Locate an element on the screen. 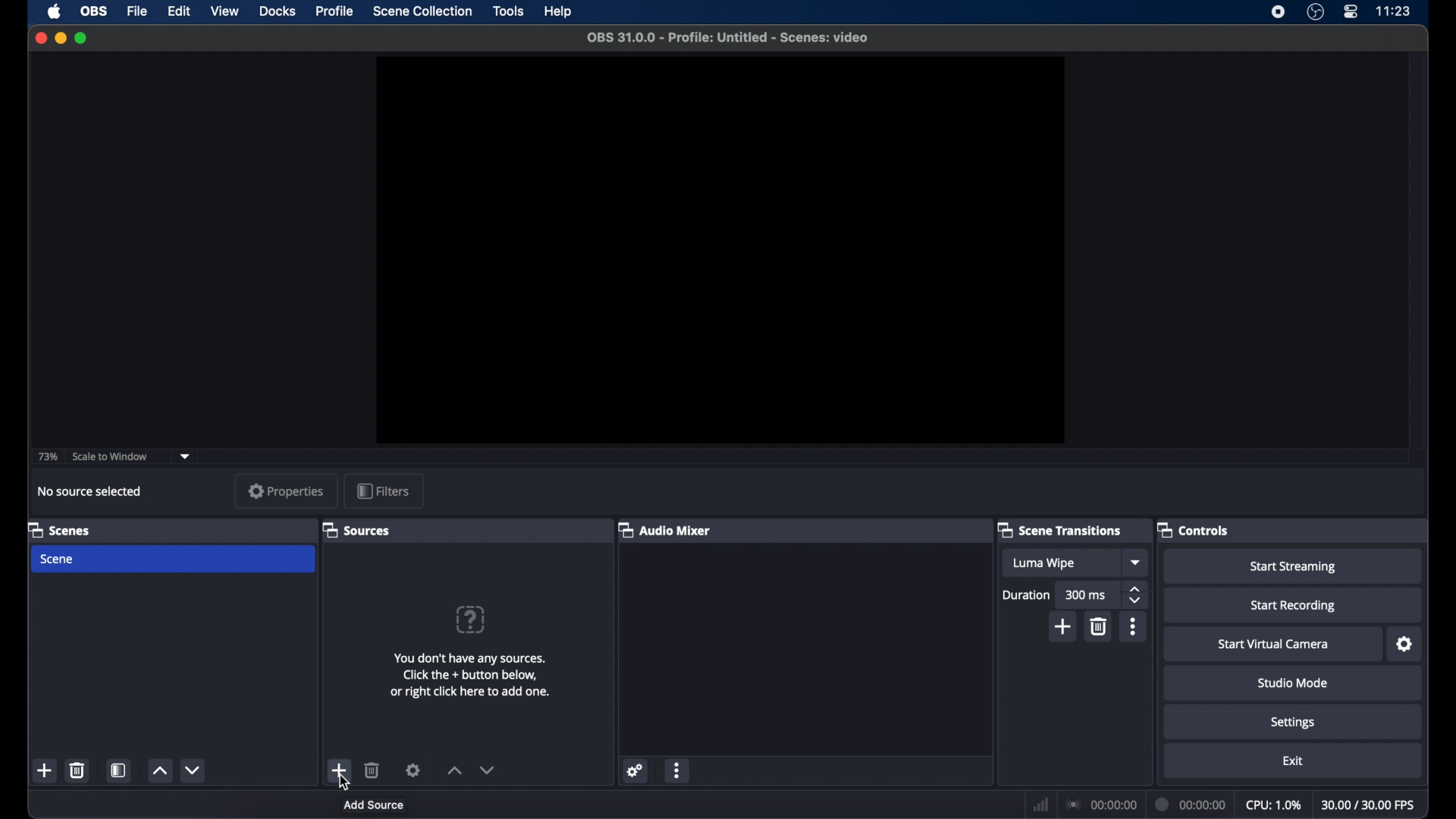 The image size is (1456, 819). more options is located at coordinates (679, 770).